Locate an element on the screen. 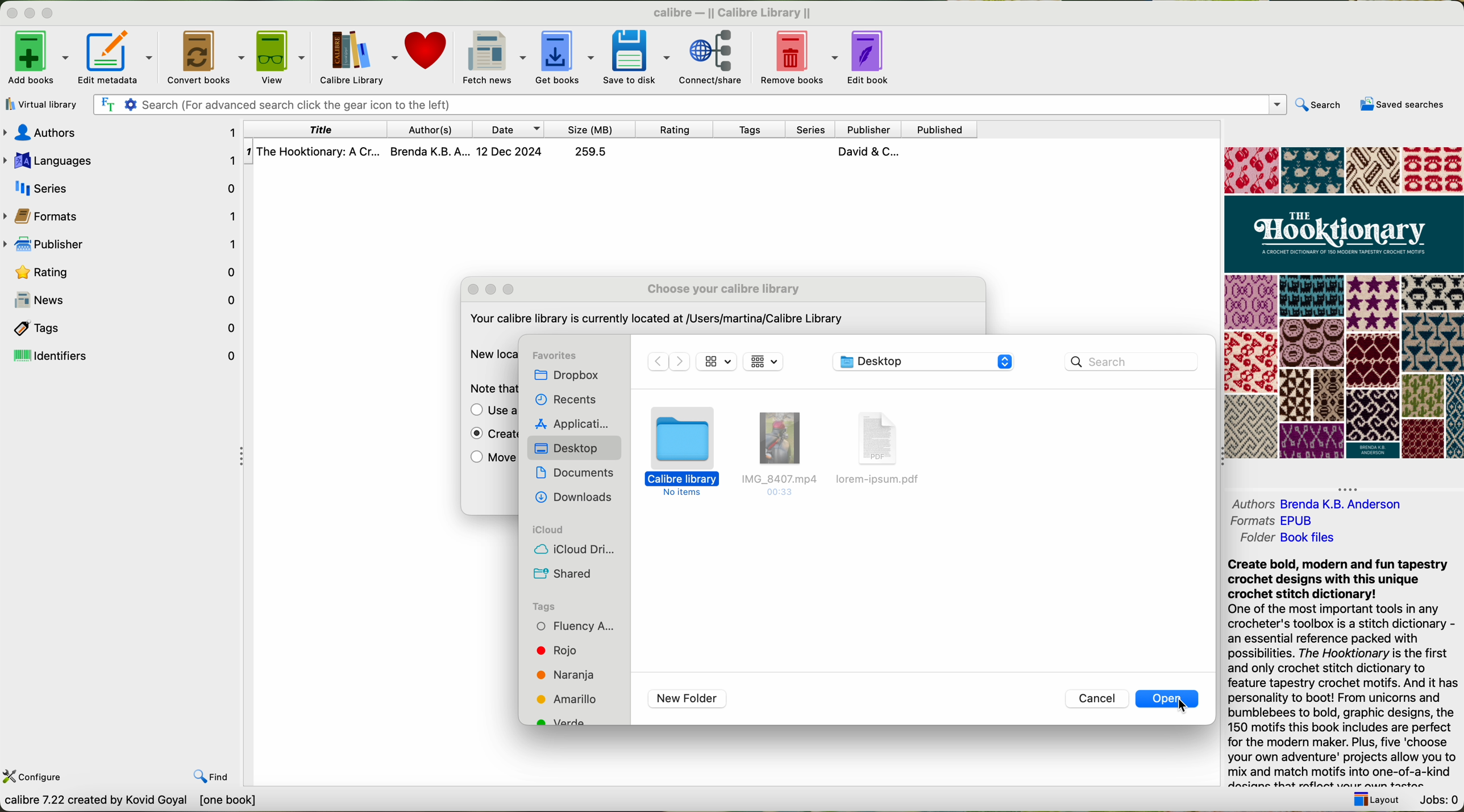  Settings is located at coordinates (132, 104).